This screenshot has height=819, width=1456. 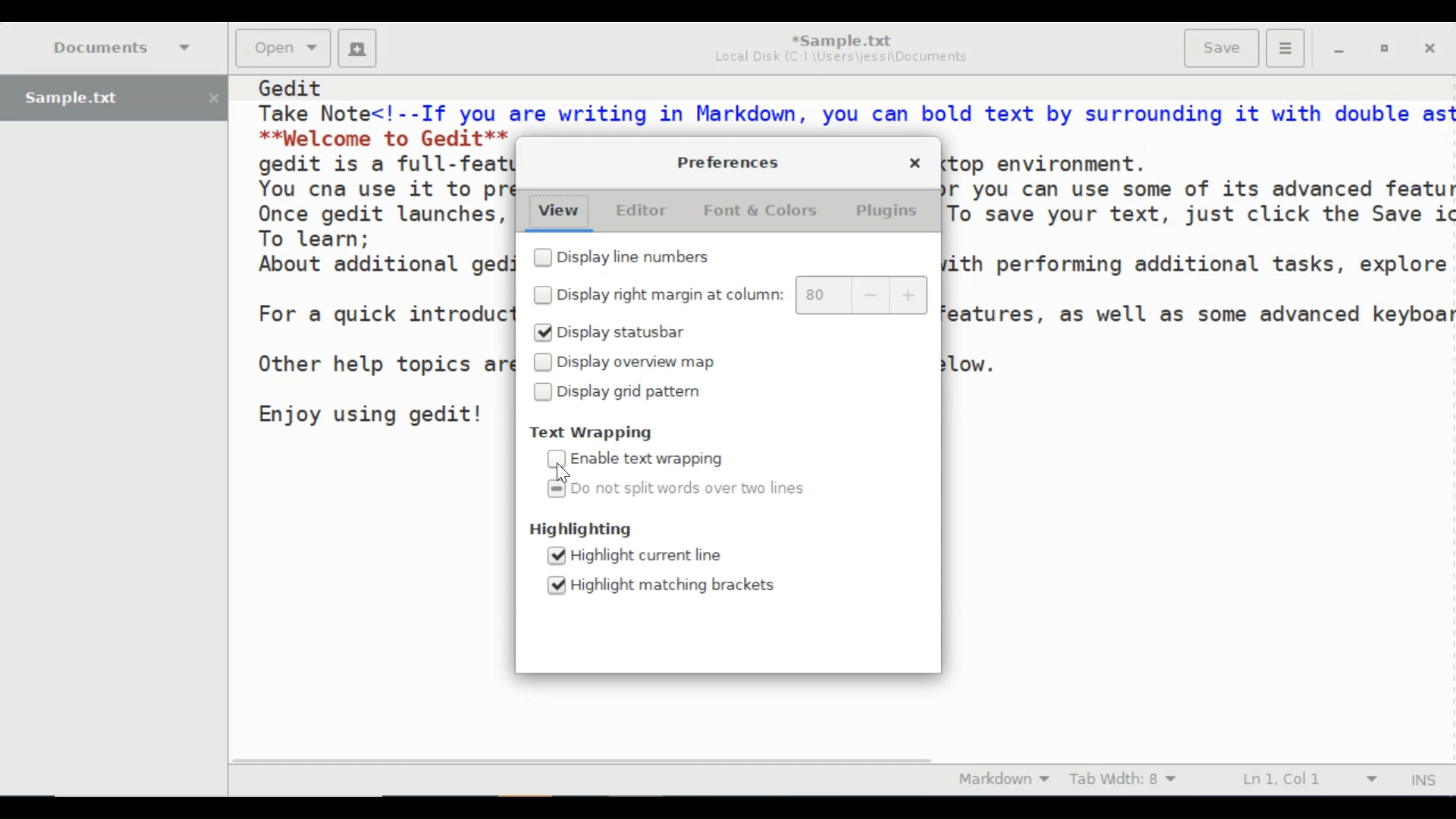 What do you see at coordinates (597, 432) in the screenshot?
I see `Text Wrapping` at bounding box center [597, 432].